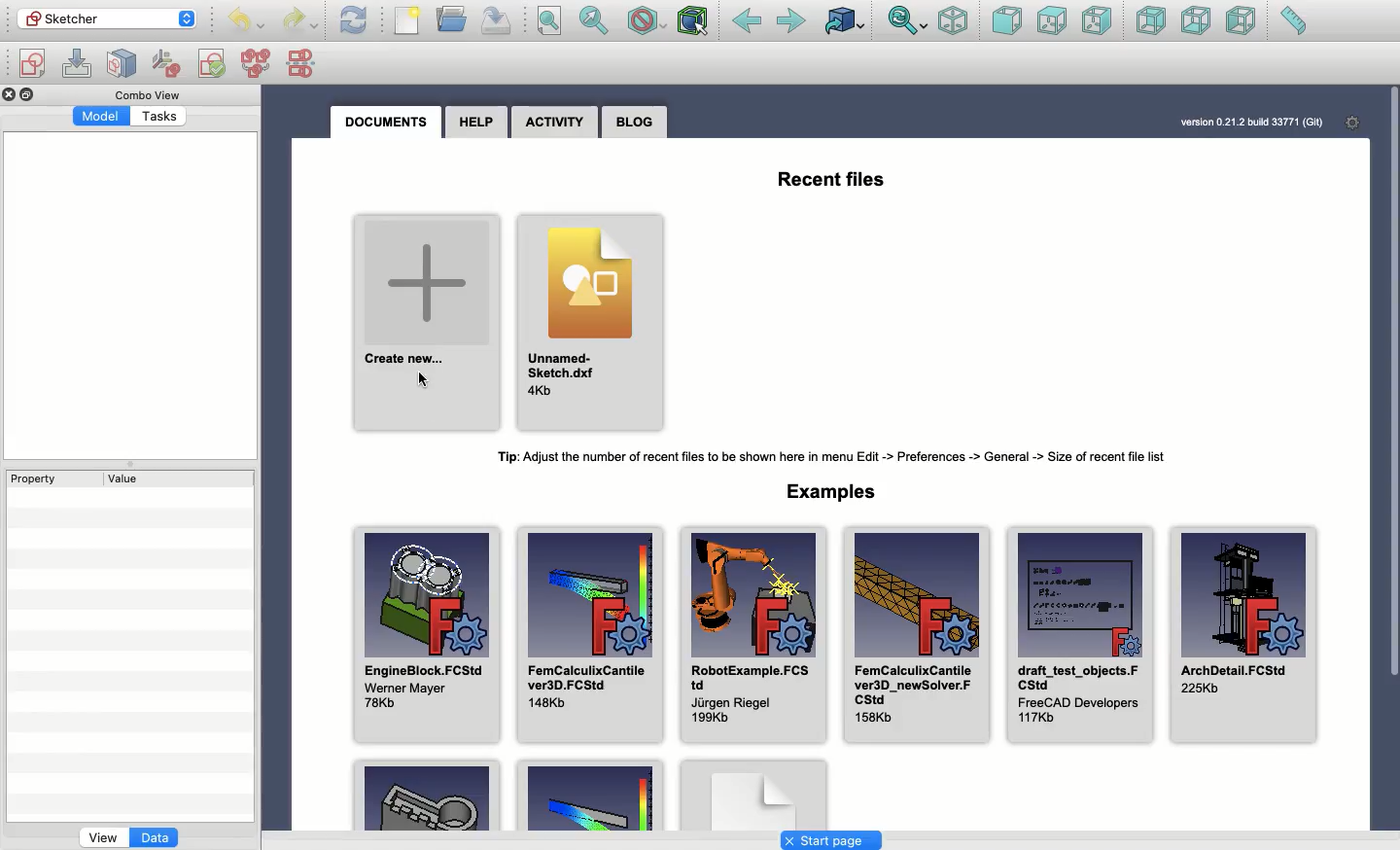  What do you see at coordinates (168, 62) in the screenshot?
I see `Reorient sketch` at bounding box center [168, 62].